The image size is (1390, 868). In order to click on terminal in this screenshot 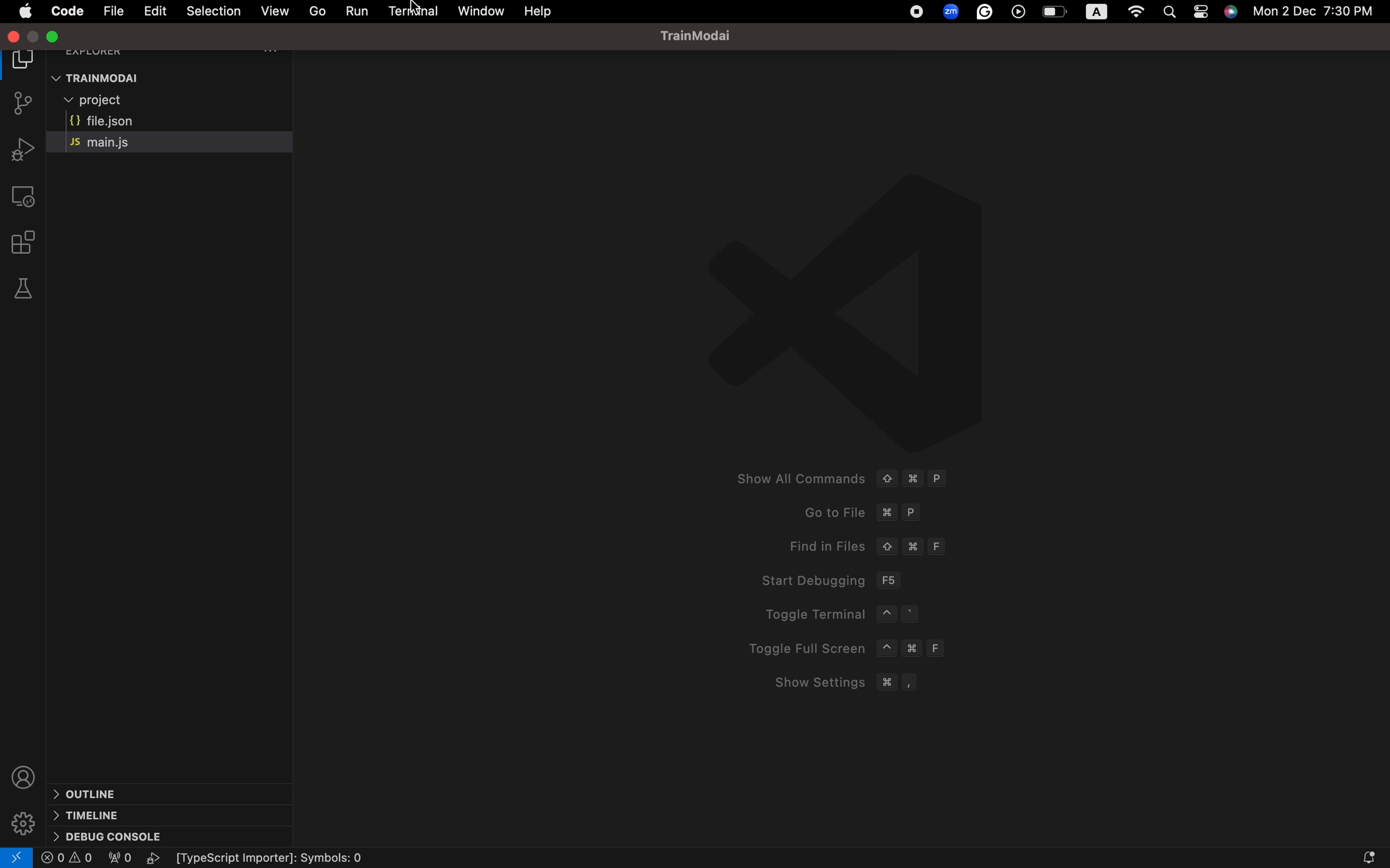, I will do `click(415, 13)`.